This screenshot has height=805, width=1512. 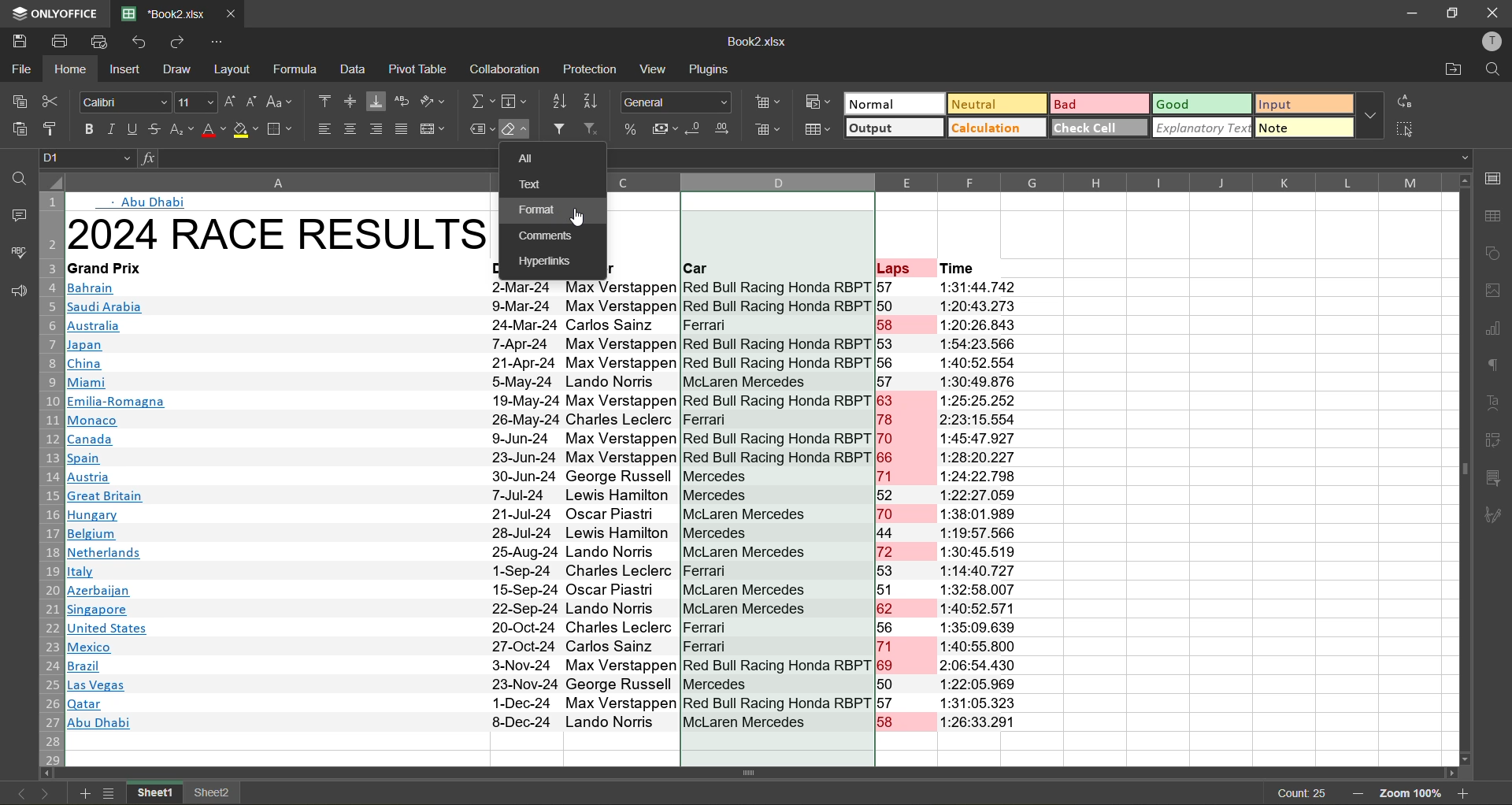 I want to click on italy 1-Sep-24 Charles Leclerc Ferrari 53 1:14:40.72, so click(x=539, y=572).